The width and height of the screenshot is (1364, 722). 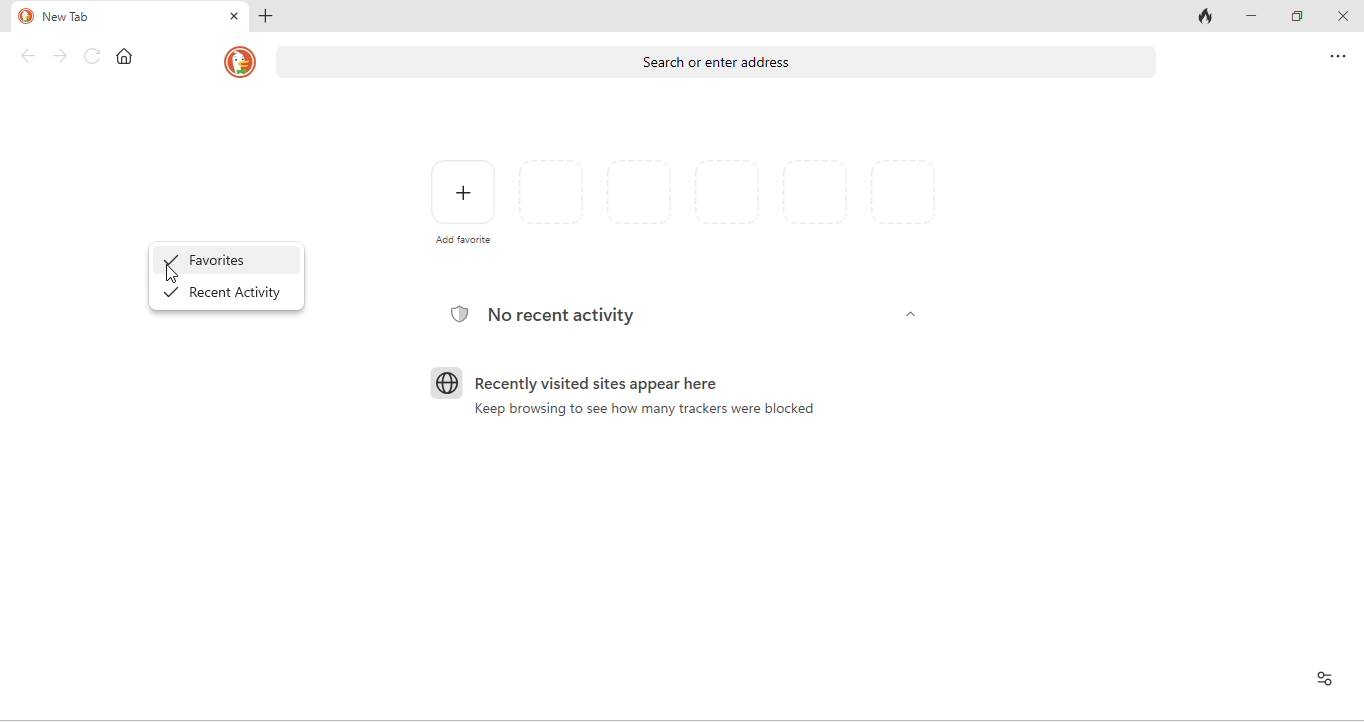 What do you see at coordinates (729, 201) in the screenshot?
I see `favorites` at bounding box center [729, 201].